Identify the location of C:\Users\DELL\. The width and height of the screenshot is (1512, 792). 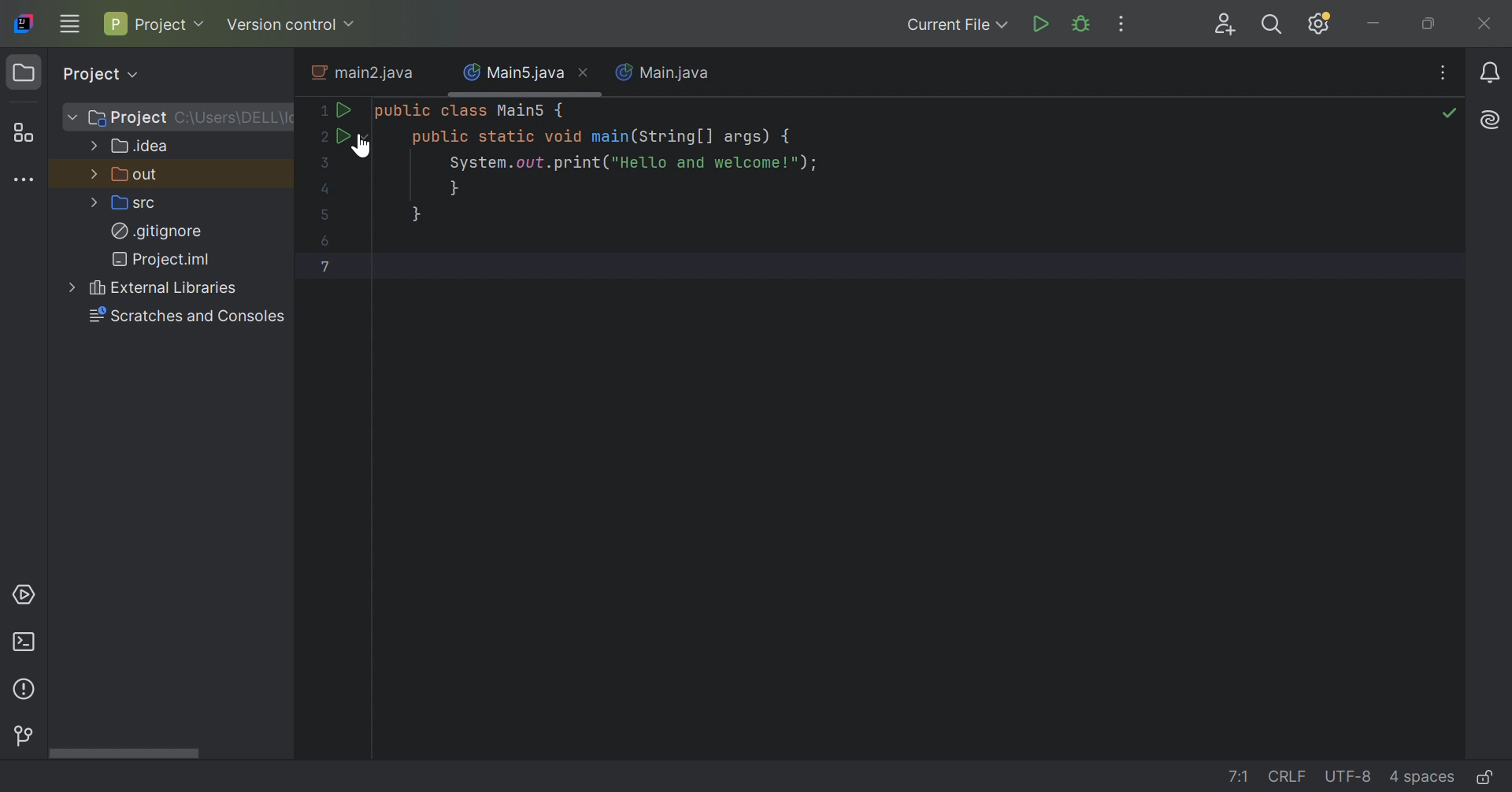
(234, 117).